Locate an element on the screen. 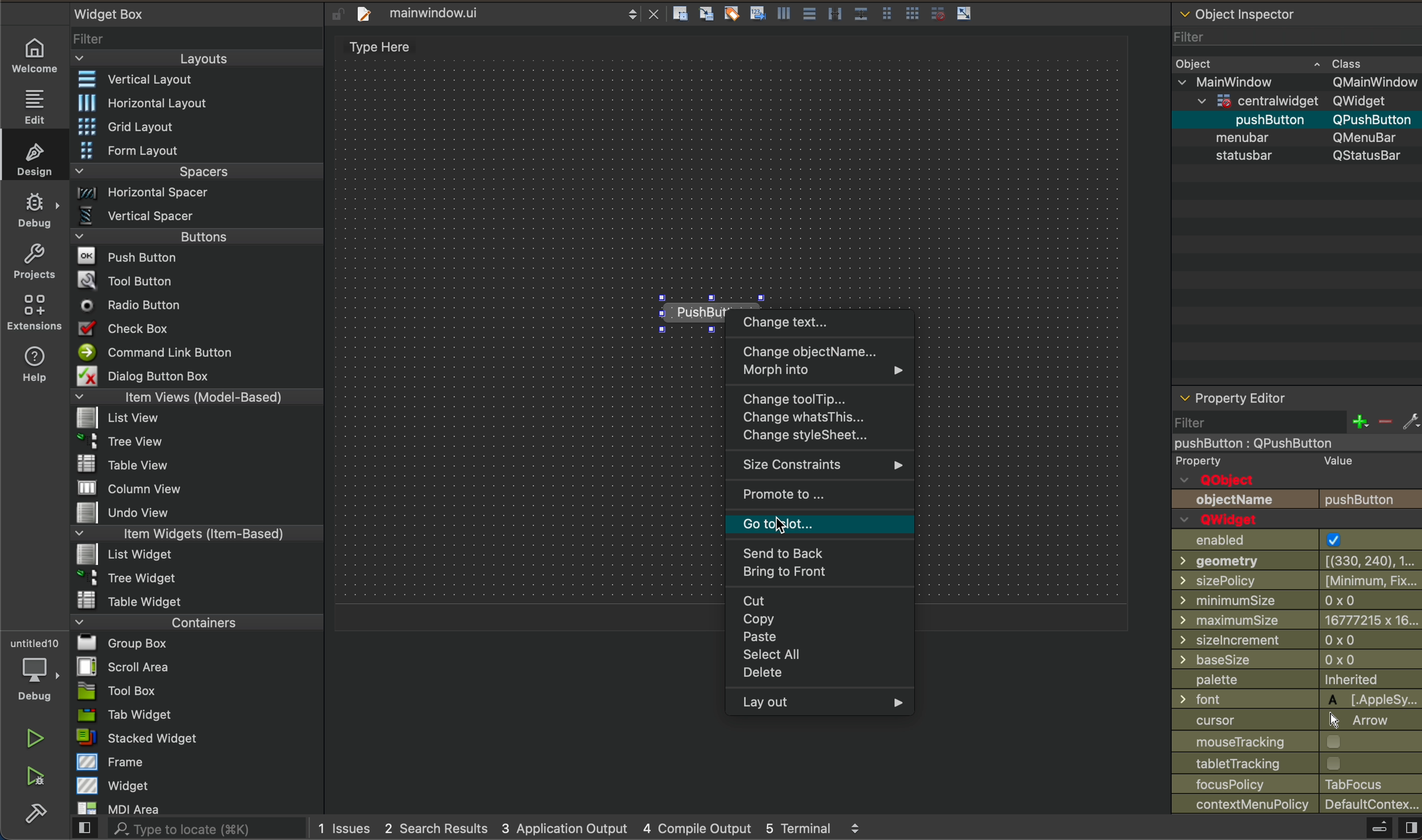 The height and width of the screenshot is (840, 1422). palette is located at coordinates (1296, 679).